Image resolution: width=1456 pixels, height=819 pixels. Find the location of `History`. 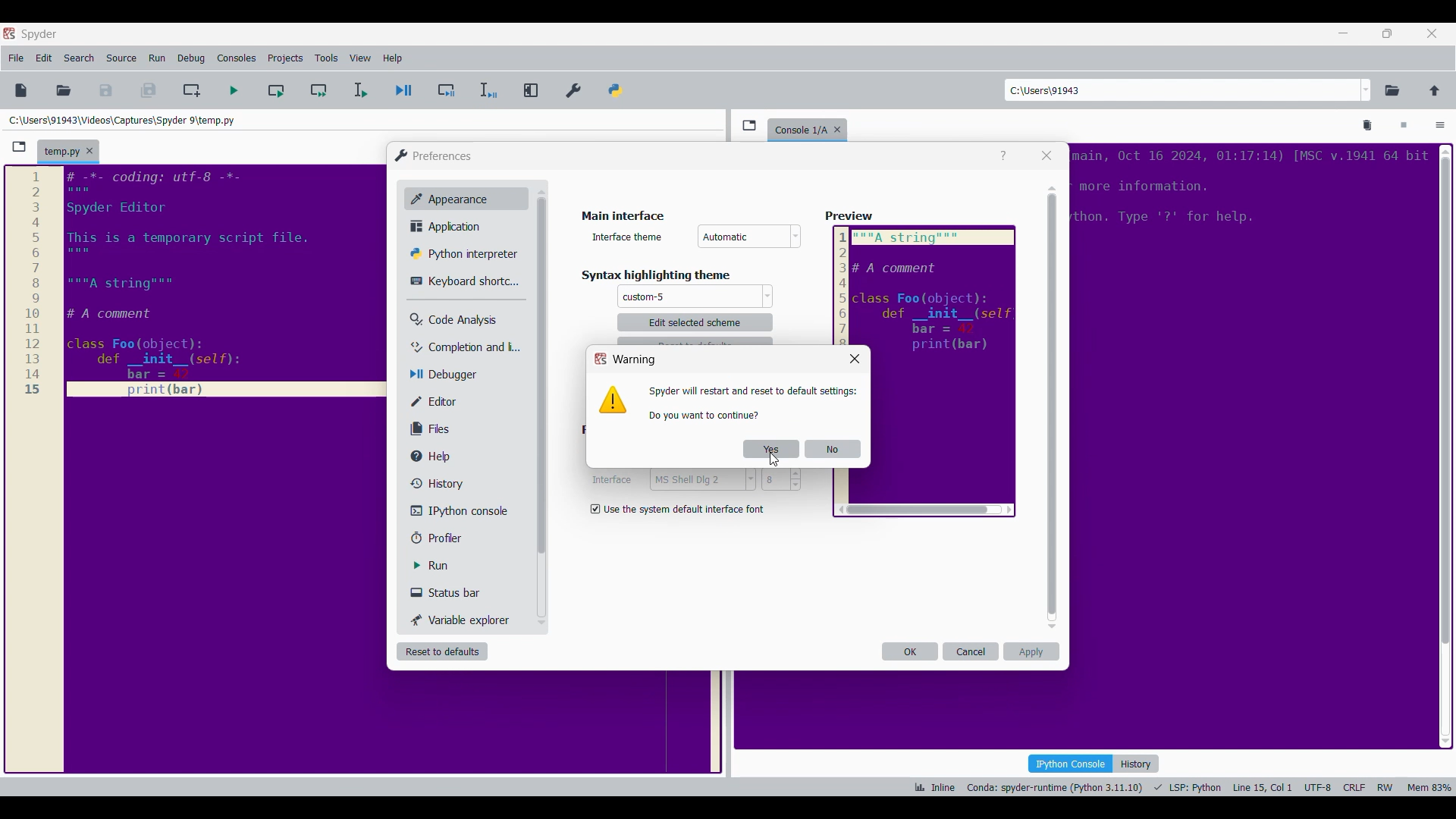

History is located at coordinates (466, 484).